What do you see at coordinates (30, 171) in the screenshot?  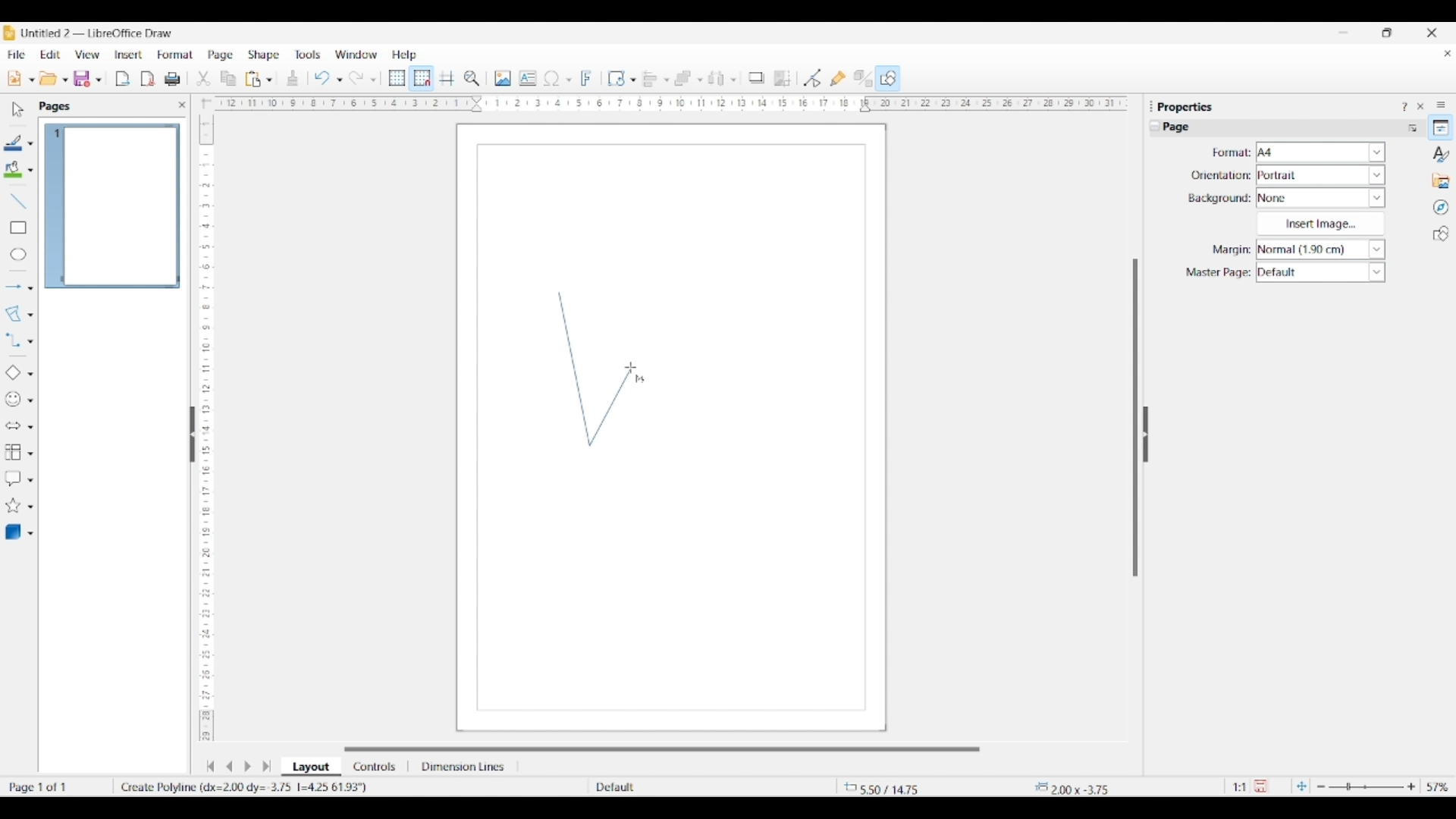 I see `Fill color options` at bounding box center [30, 171].